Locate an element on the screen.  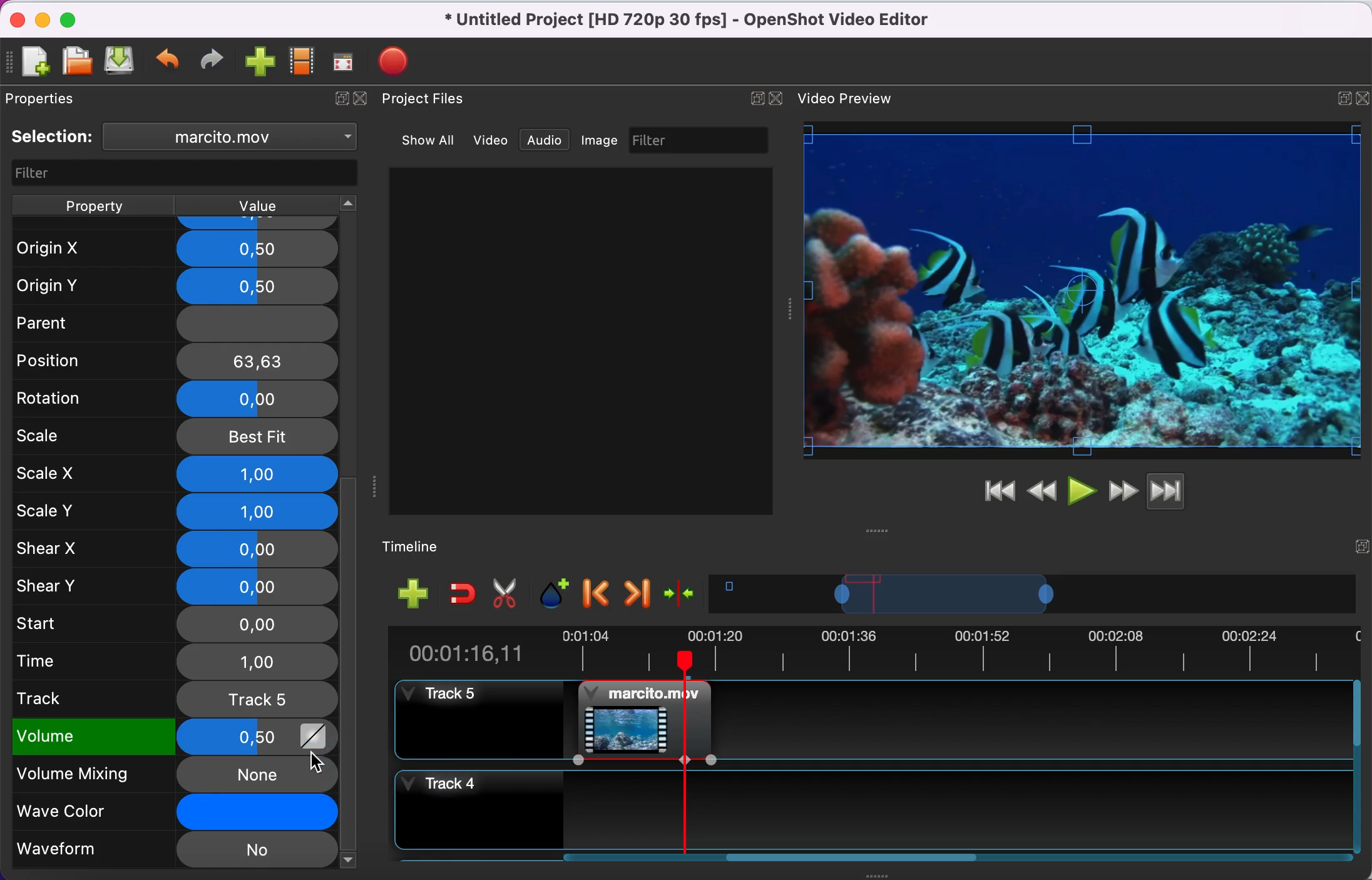
value is located at coordinates (273, 205).